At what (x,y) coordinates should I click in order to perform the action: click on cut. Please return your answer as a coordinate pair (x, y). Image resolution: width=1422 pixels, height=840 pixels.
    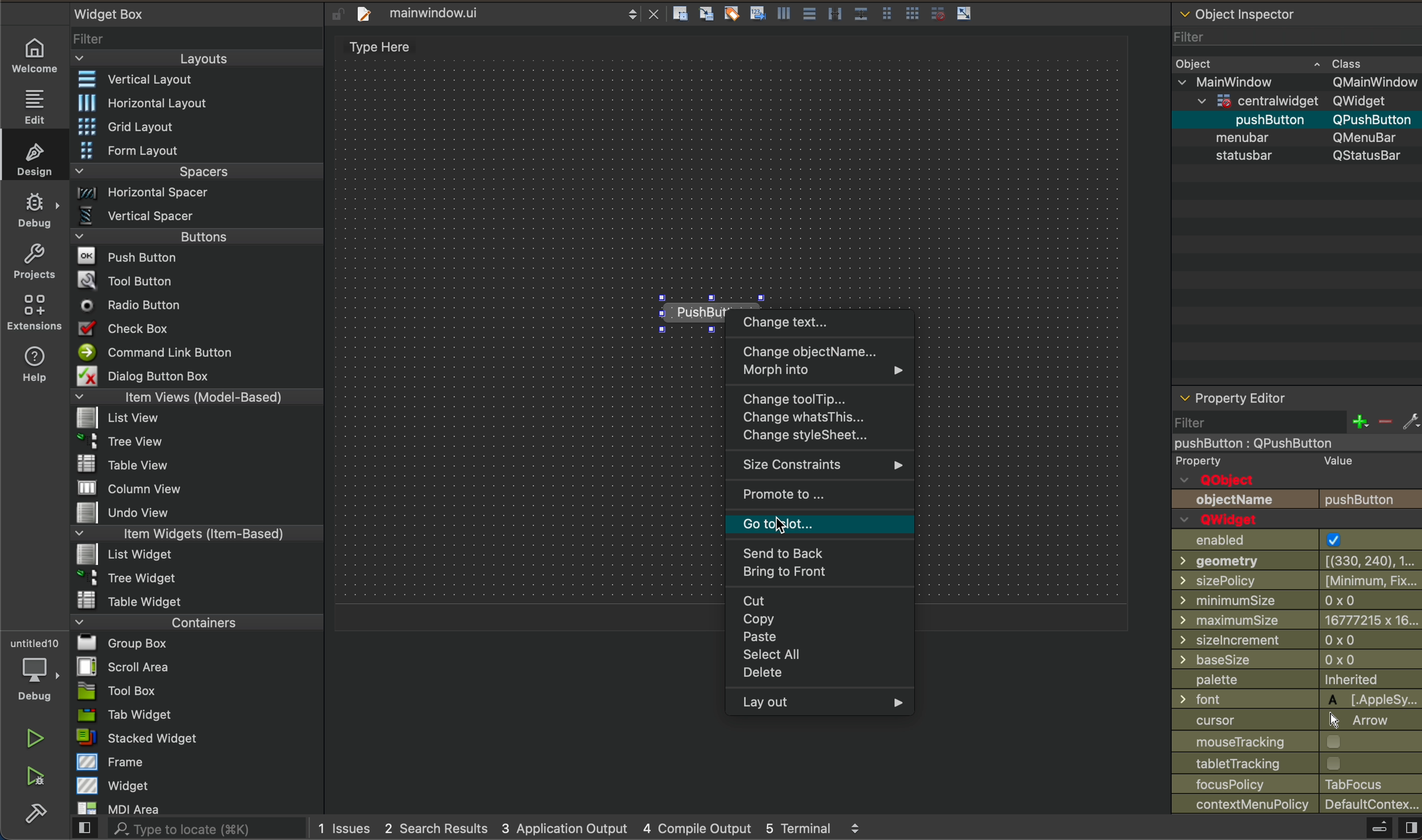
    Looking at the image, I should click on (825, 601).